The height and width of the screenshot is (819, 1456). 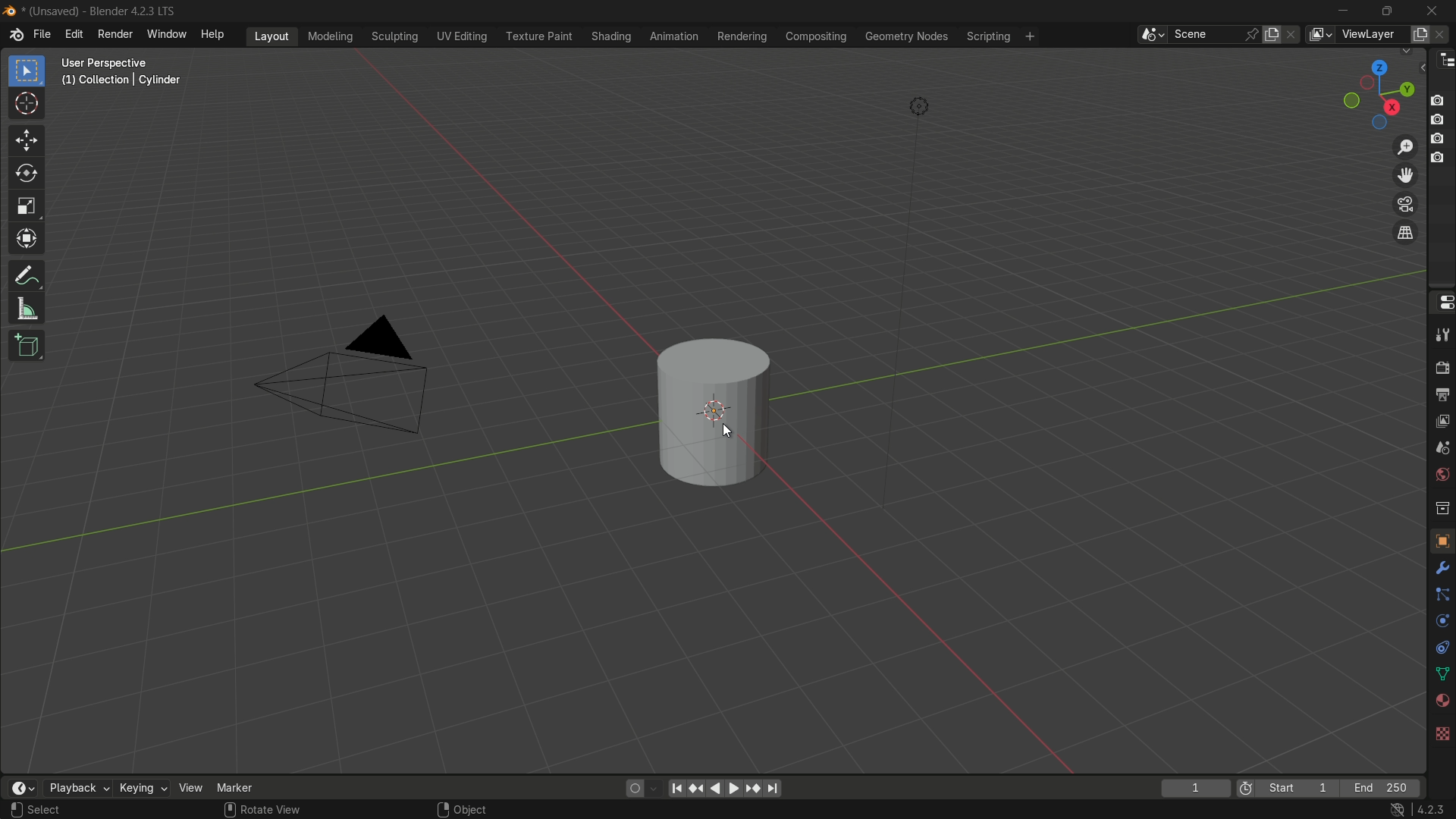 I want to click on add cube, so click(x=27, y=344).